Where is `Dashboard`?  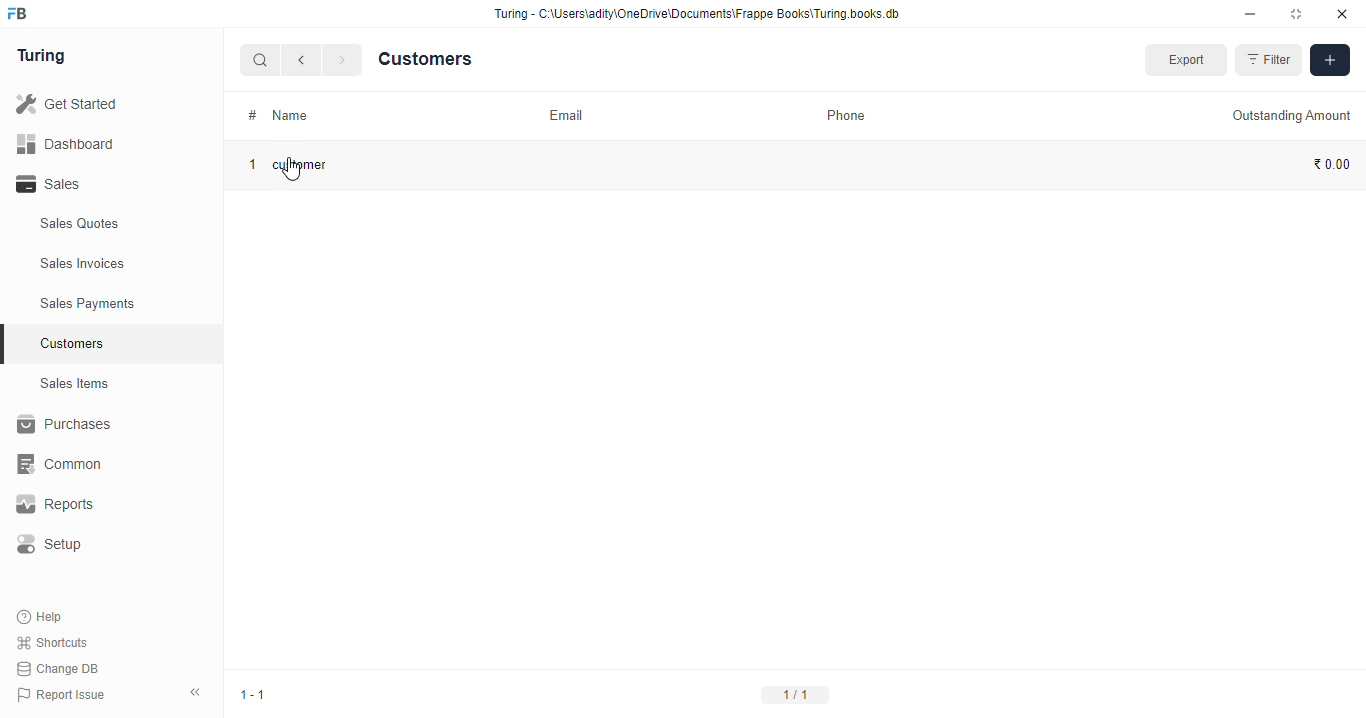
Dashboard is located at coordinates (95, 143).